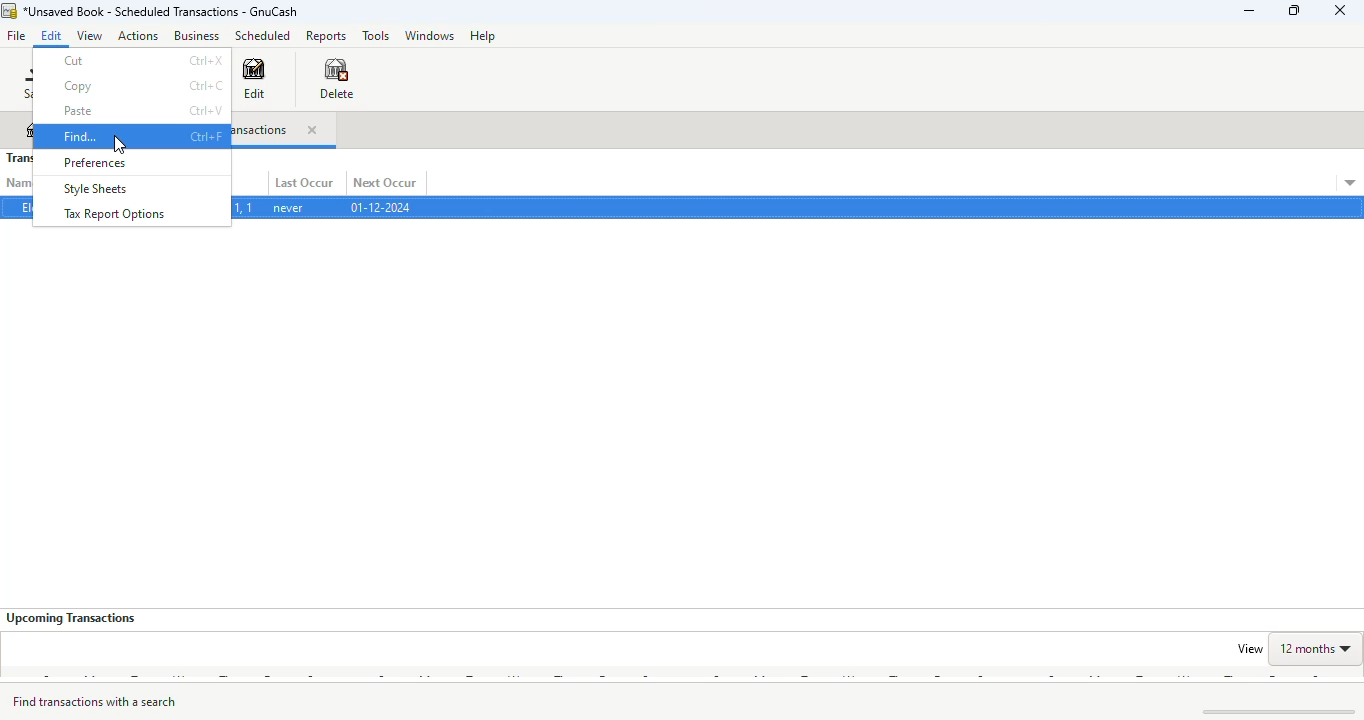  What do you see at coordinates (1249, 10) in the screenshot?
I see `minimize` at bounding box center [1249, 10].